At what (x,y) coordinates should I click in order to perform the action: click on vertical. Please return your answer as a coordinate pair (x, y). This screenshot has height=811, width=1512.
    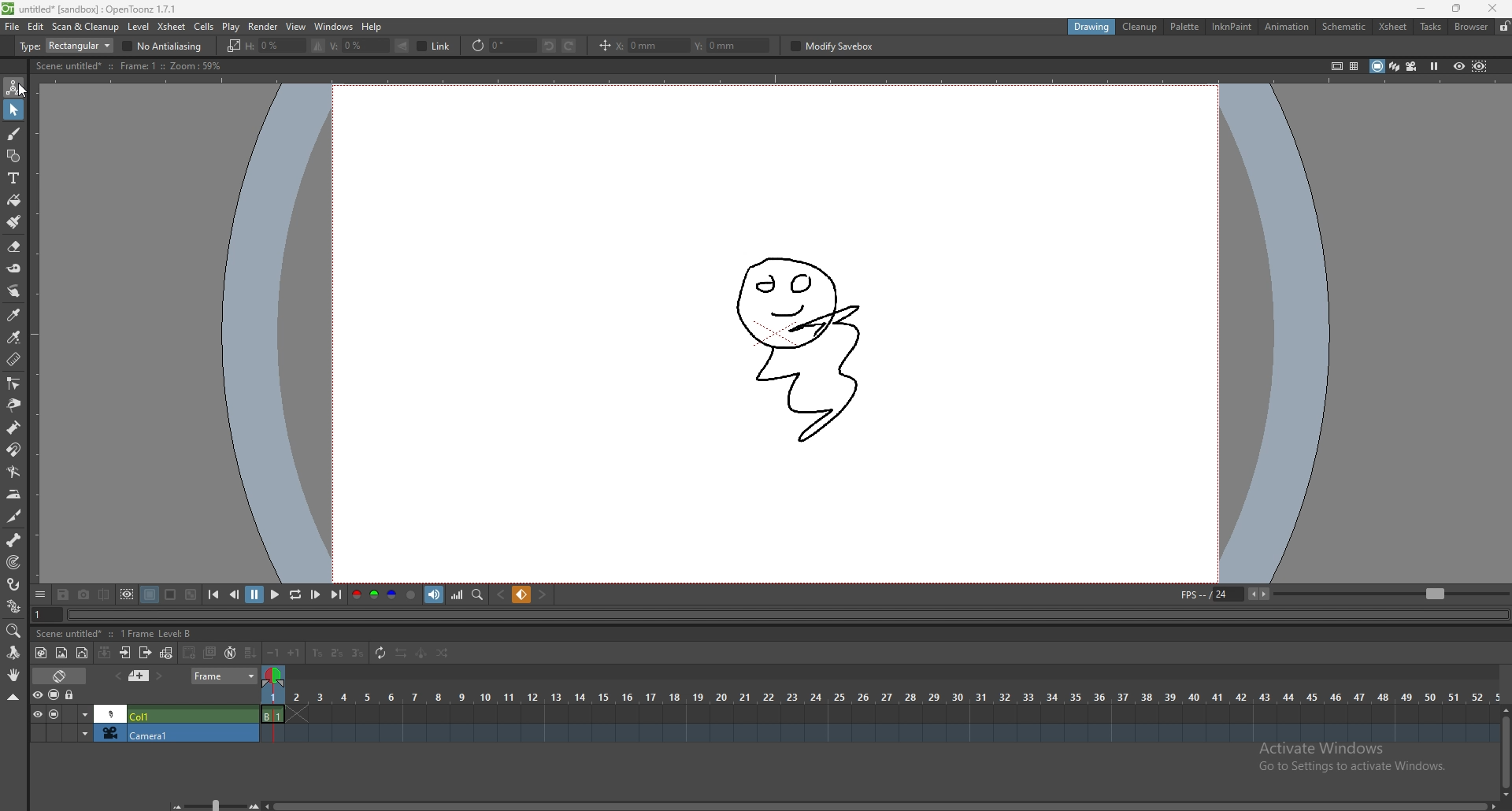
    Looking at the image, I should click on (359, 46).